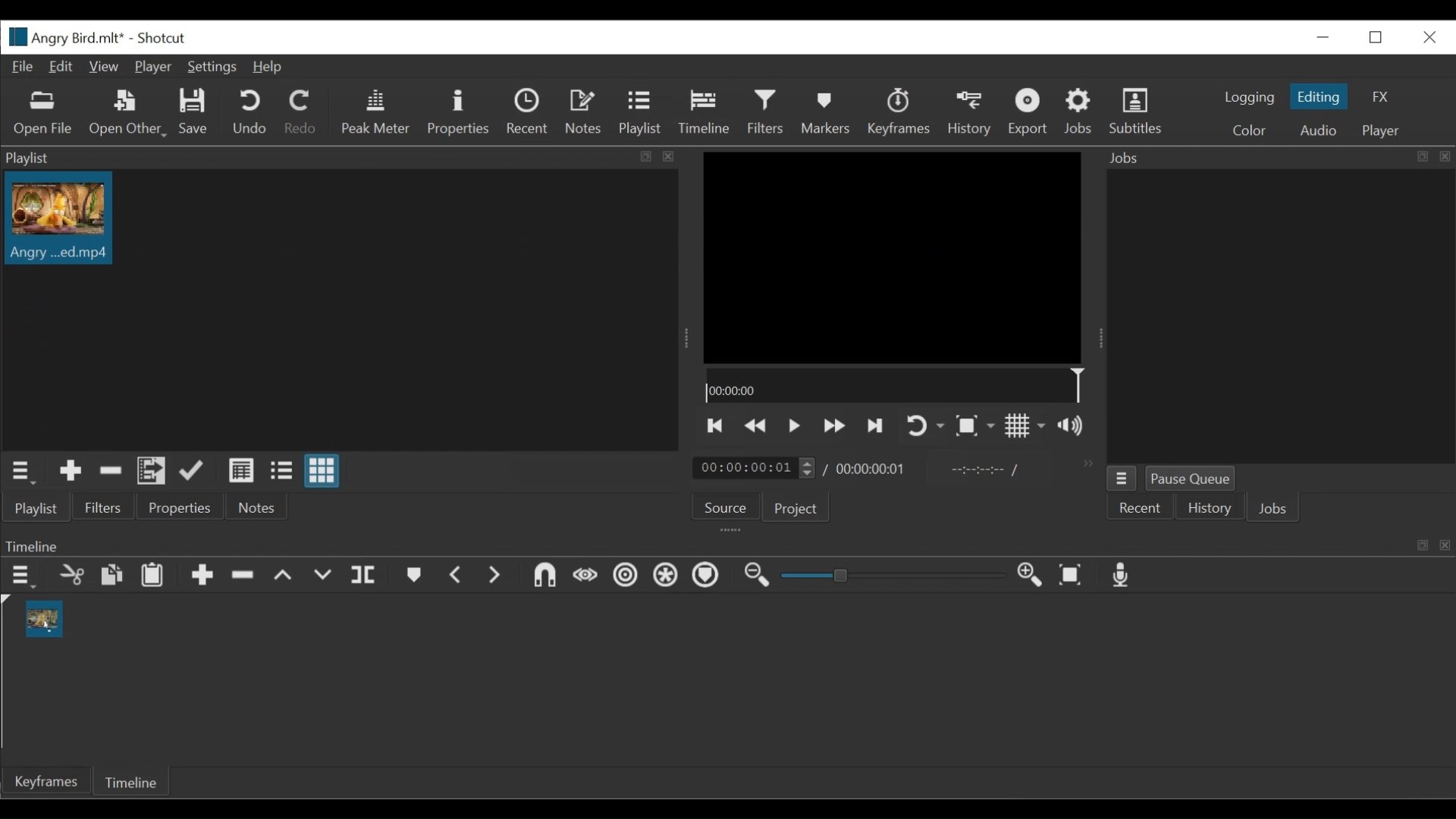 Image resolution: width=1456 pixels, height=819 pixels. What do you see at coordinates (544, 576) in the screenshot?
I see `Snap` at bounding box center [544, 576].